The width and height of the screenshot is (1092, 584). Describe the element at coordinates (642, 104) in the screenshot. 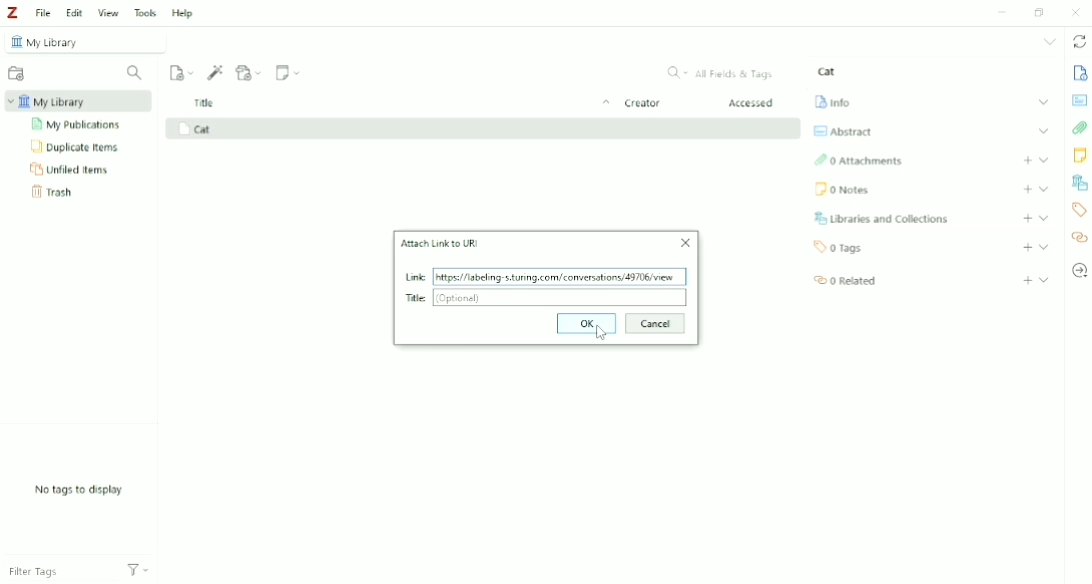

I see `Creator` at that location.